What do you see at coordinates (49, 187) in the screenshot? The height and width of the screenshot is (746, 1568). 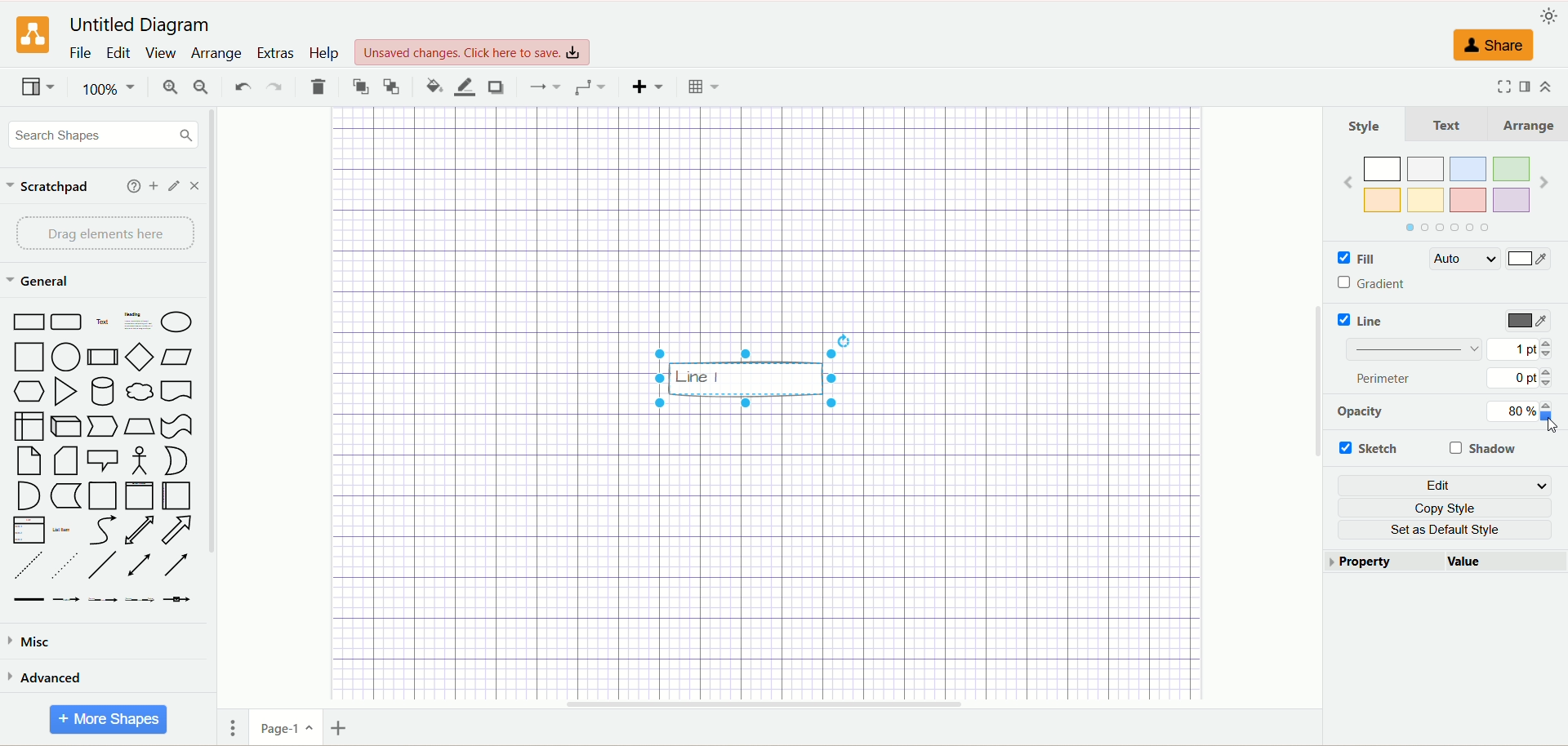 I see `scratchpad` at bounding box center [49, 187].